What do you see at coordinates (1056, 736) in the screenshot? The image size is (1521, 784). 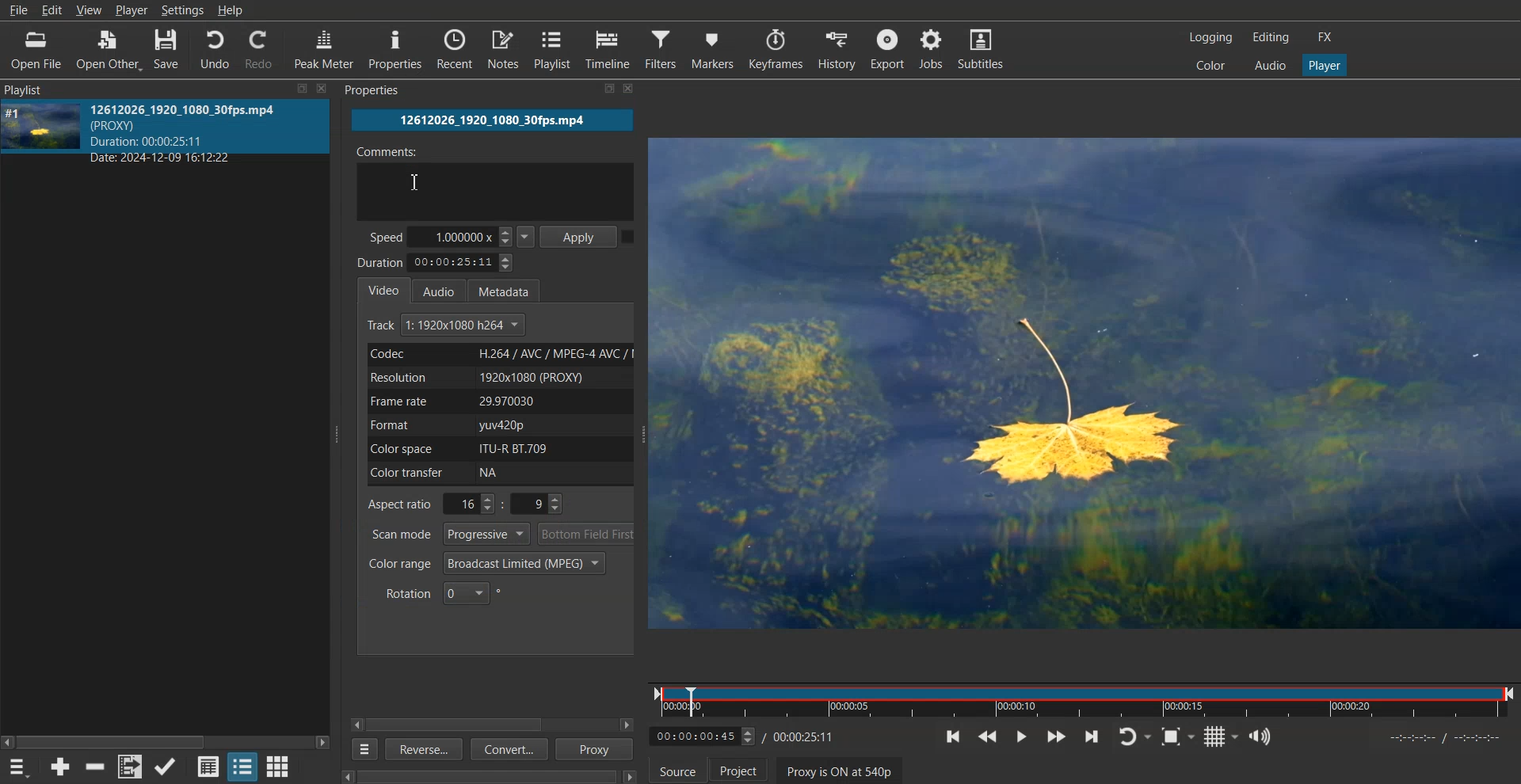 I see `Play Forward` at bounding box center [1056, 736].